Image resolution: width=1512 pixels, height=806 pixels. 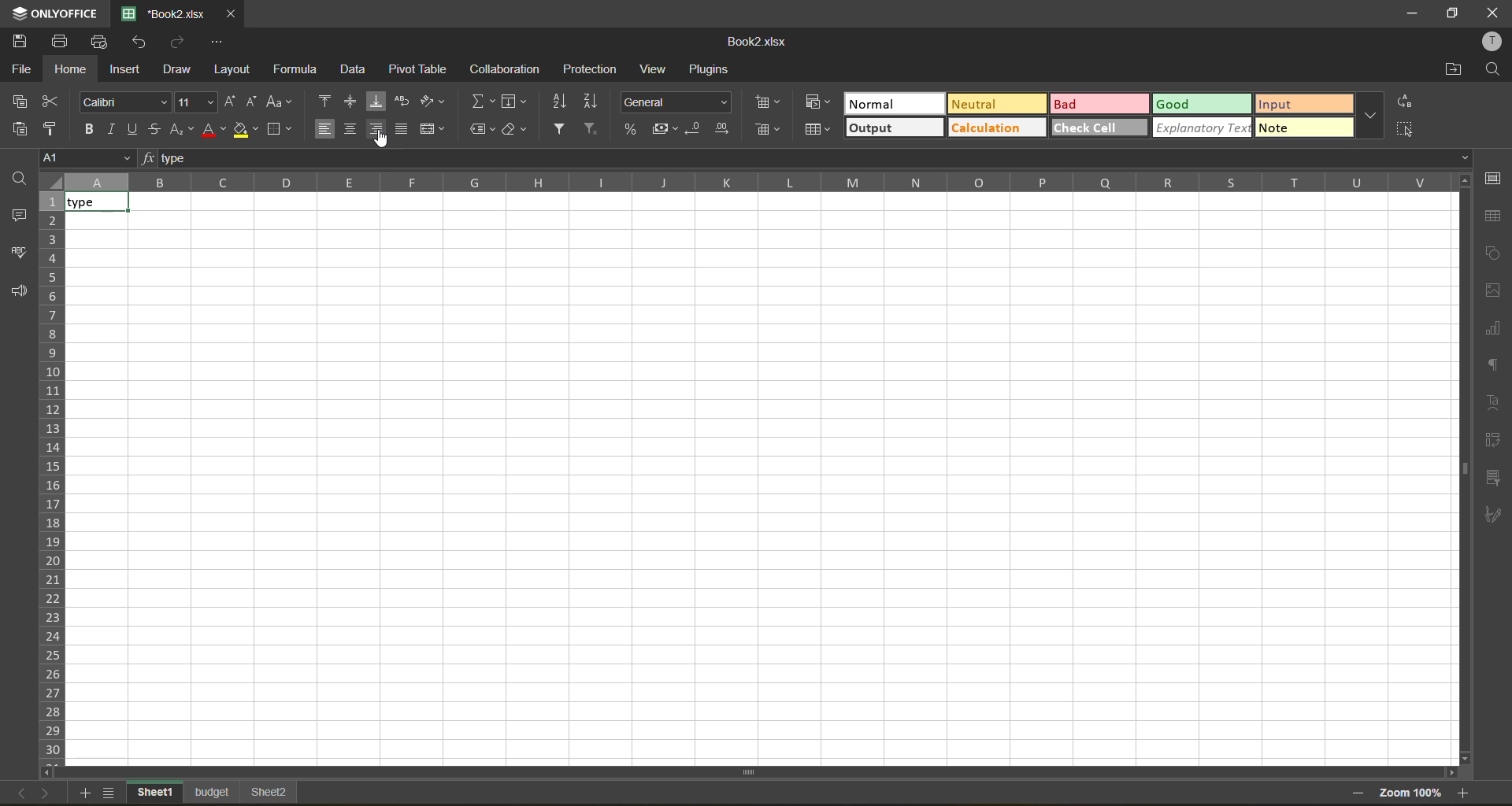 I want to click on change case, so click(x=278, y=104).